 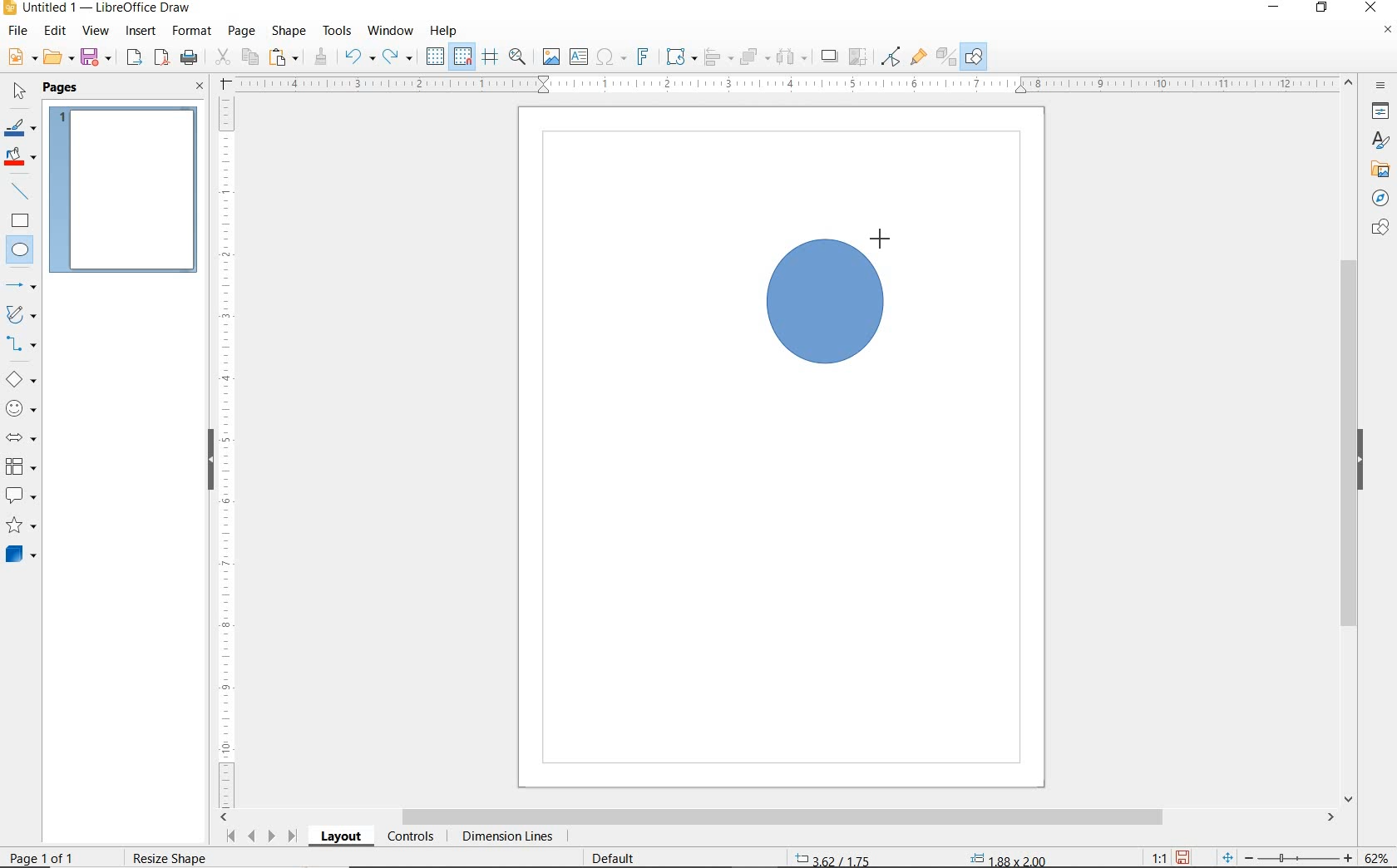 What do you see at coordinates (1380, 228) in the screenshot?
I see `SHAPES` at bounding box center [1380, 228].